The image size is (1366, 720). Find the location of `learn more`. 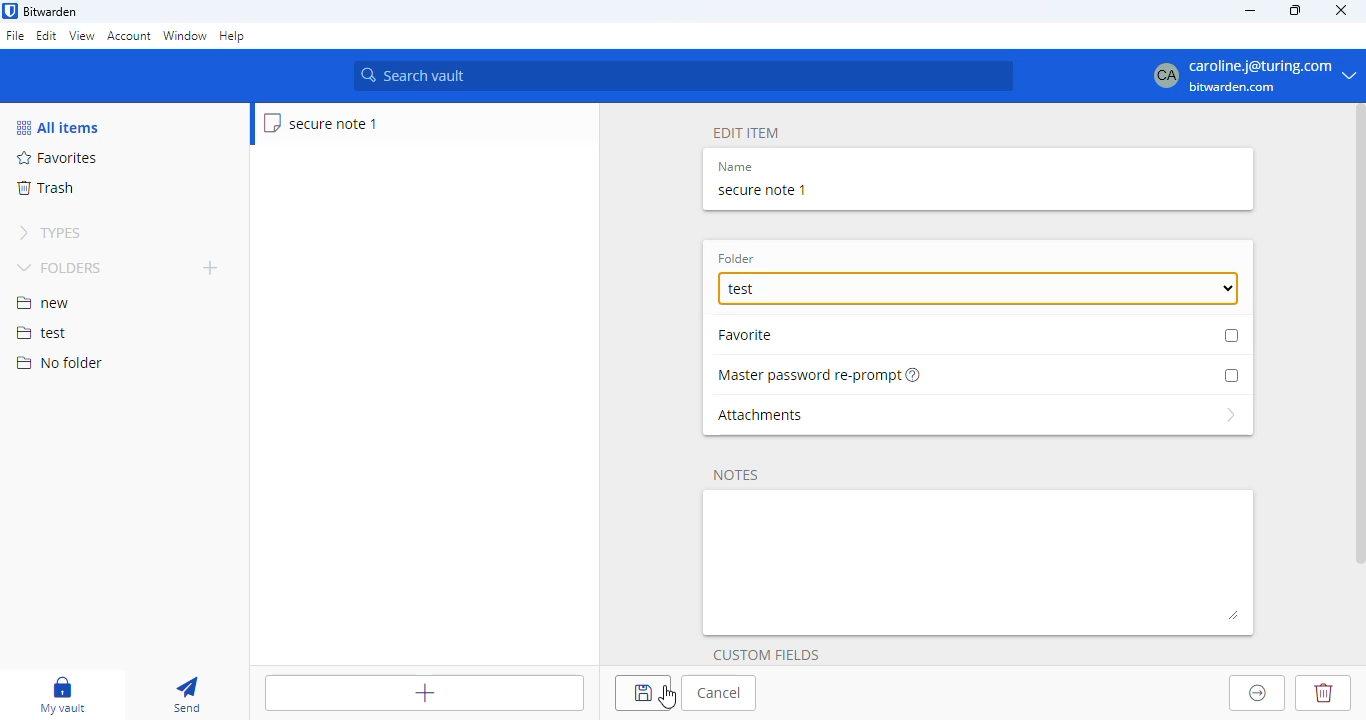

learn more is located at coordinates (915, 374).